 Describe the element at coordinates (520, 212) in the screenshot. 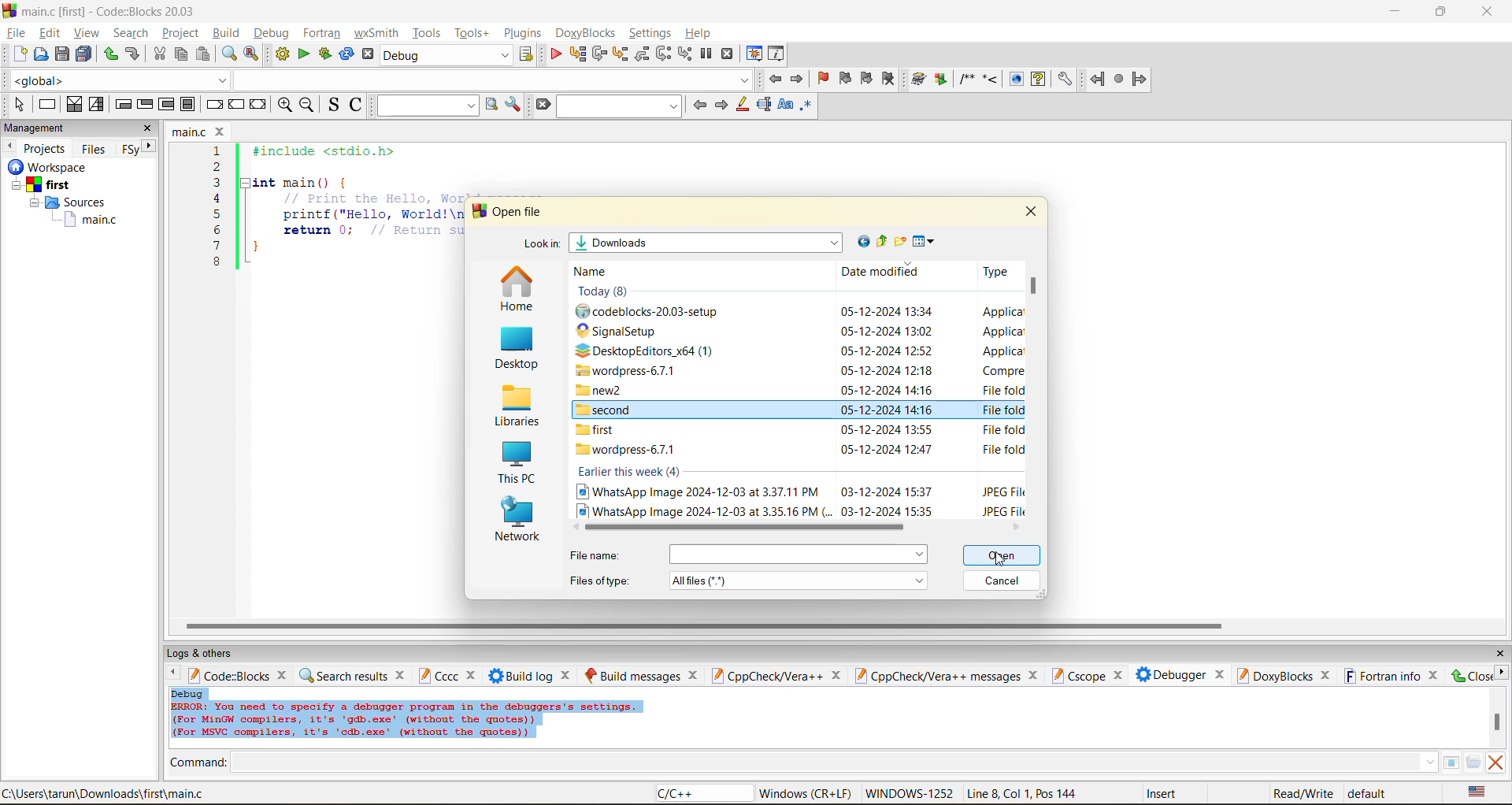

I see `open file` at that location.